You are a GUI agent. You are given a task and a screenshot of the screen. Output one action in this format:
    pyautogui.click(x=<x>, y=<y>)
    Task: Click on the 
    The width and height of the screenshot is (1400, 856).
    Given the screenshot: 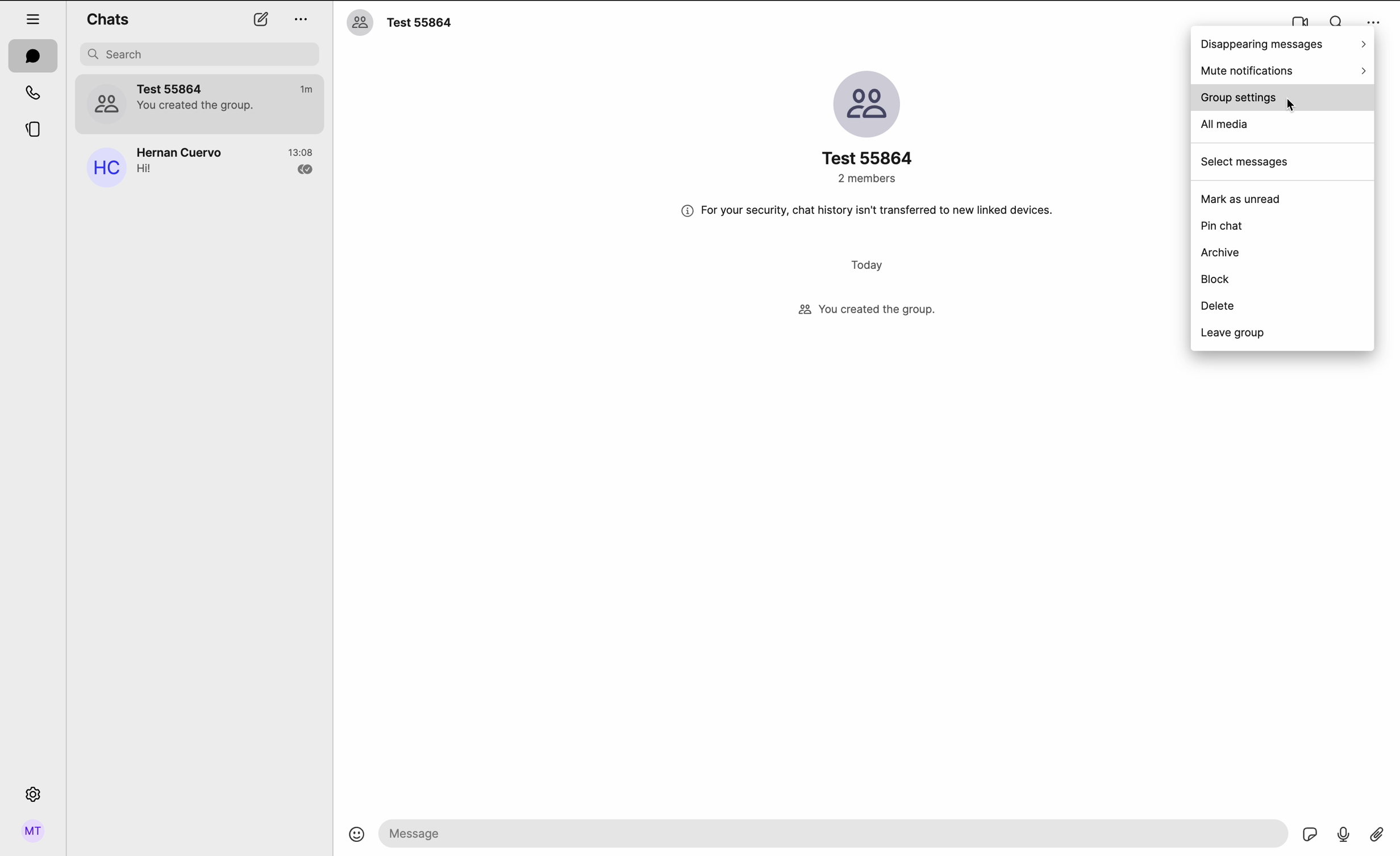 What is the action you would take?
    pyautogui.click(x=1232, y=333)
    